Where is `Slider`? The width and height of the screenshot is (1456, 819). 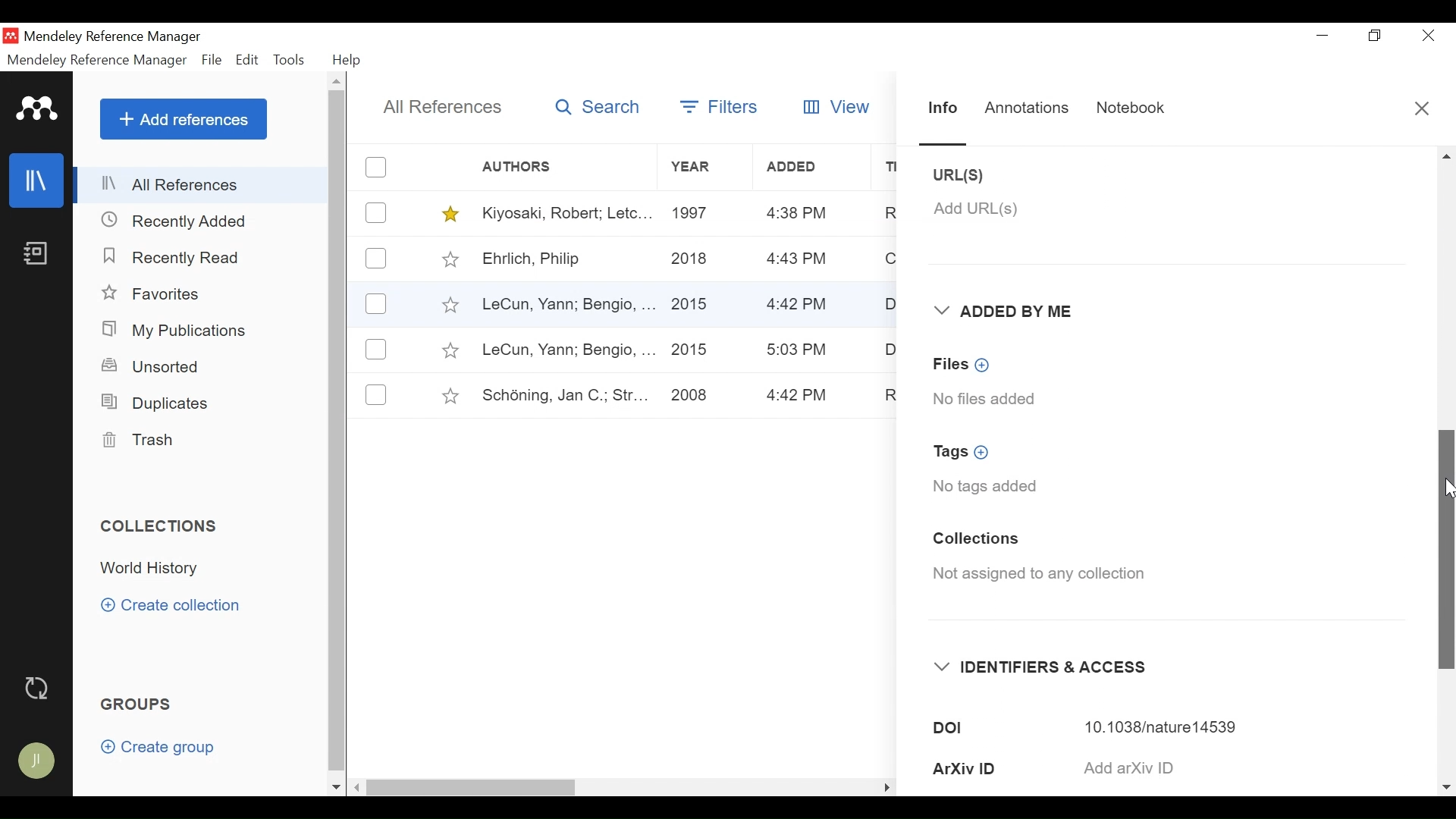
Slider is located at coordinates (946, 143).